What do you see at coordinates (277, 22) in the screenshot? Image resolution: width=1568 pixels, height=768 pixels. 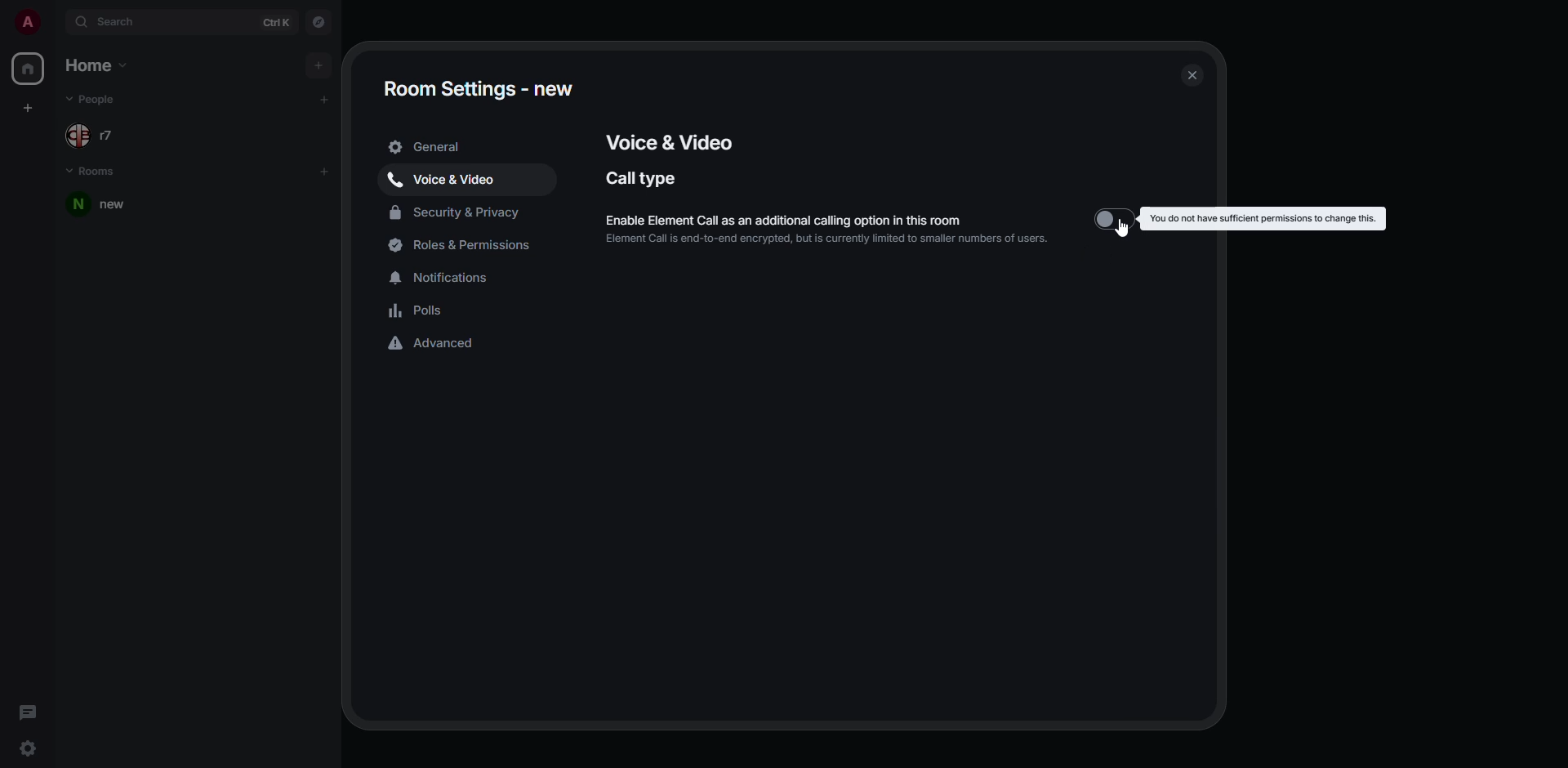 I see `ctrl K` at bounding box center [277, 22].